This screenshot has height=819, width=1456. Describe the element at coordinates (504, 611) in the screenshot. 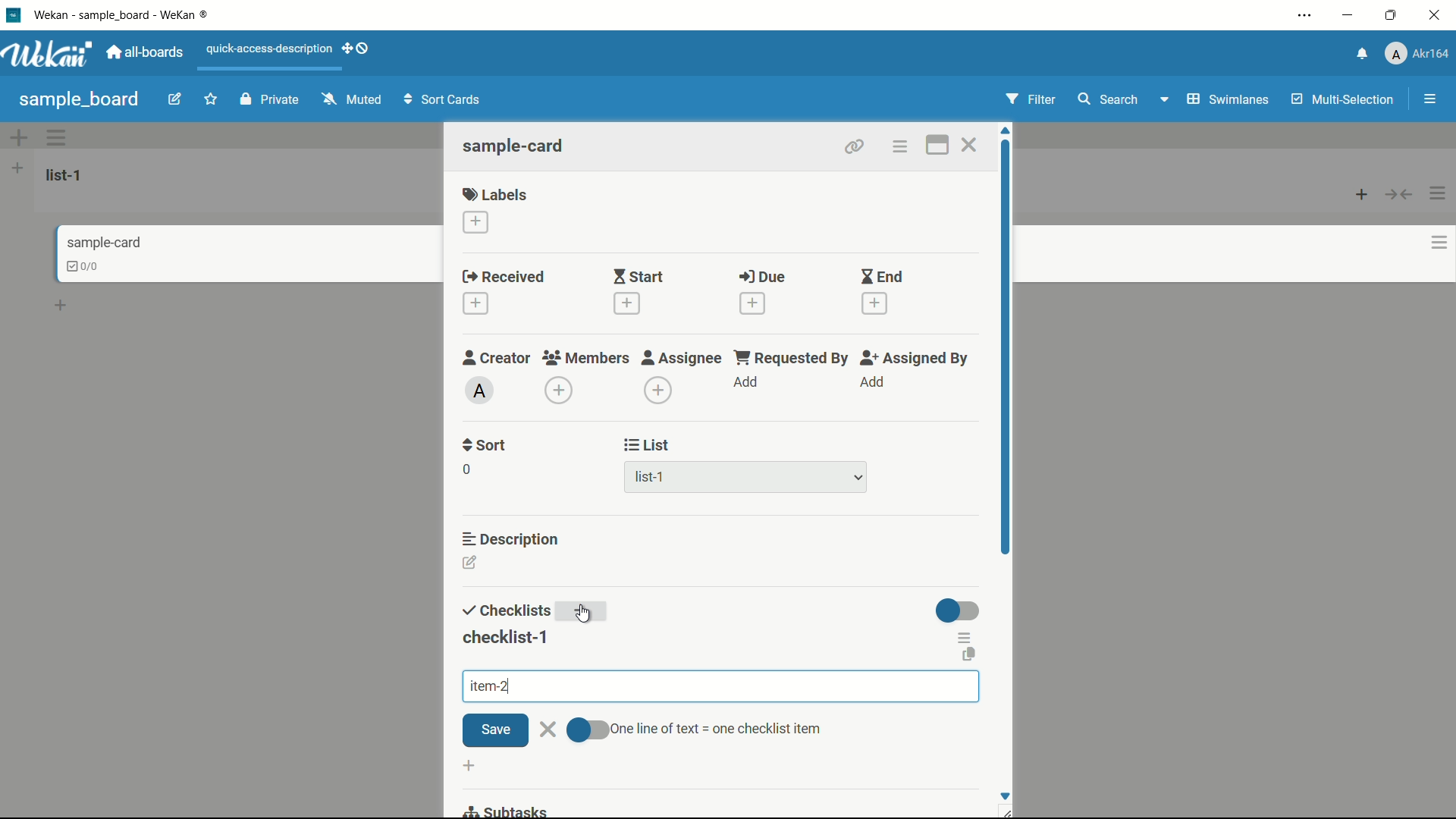

I see `checklist` at that location.